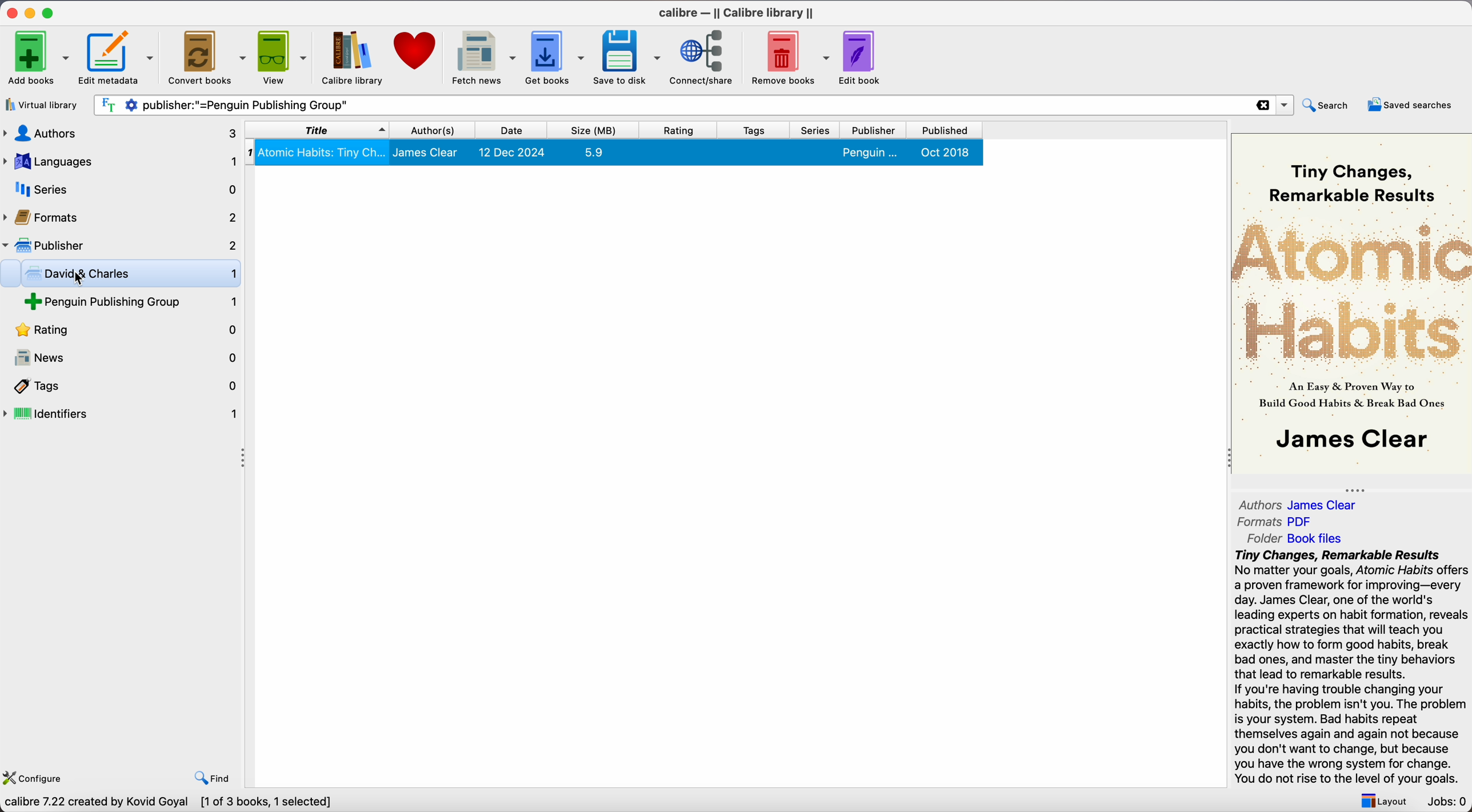 The width and height of the screenshot is (1472, 812). I want to click on Jobs: 0, so click(1445, 802).